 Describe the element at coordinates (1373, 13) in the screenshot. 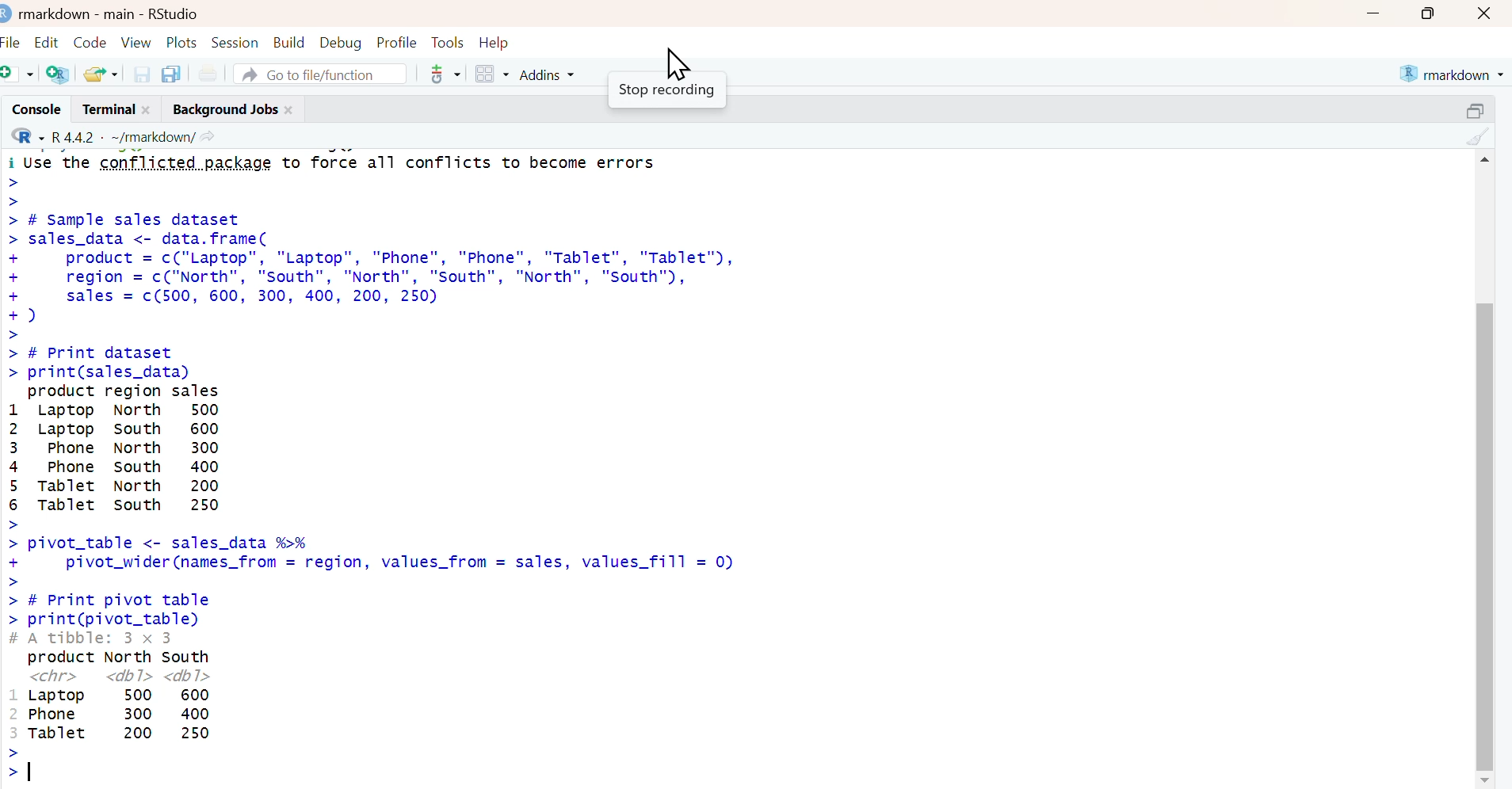

I see `minimize` at that location.